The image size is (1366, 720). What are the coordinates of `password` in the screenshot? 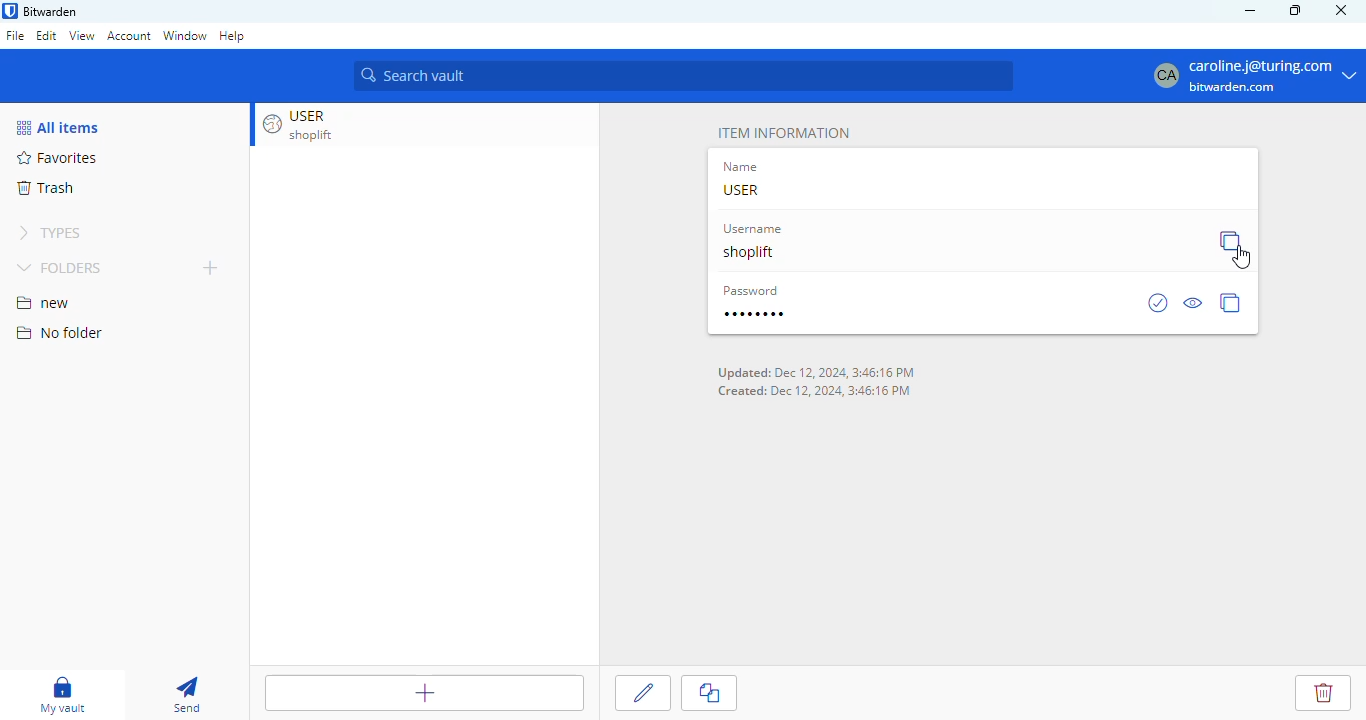 It's located at (751, 292).